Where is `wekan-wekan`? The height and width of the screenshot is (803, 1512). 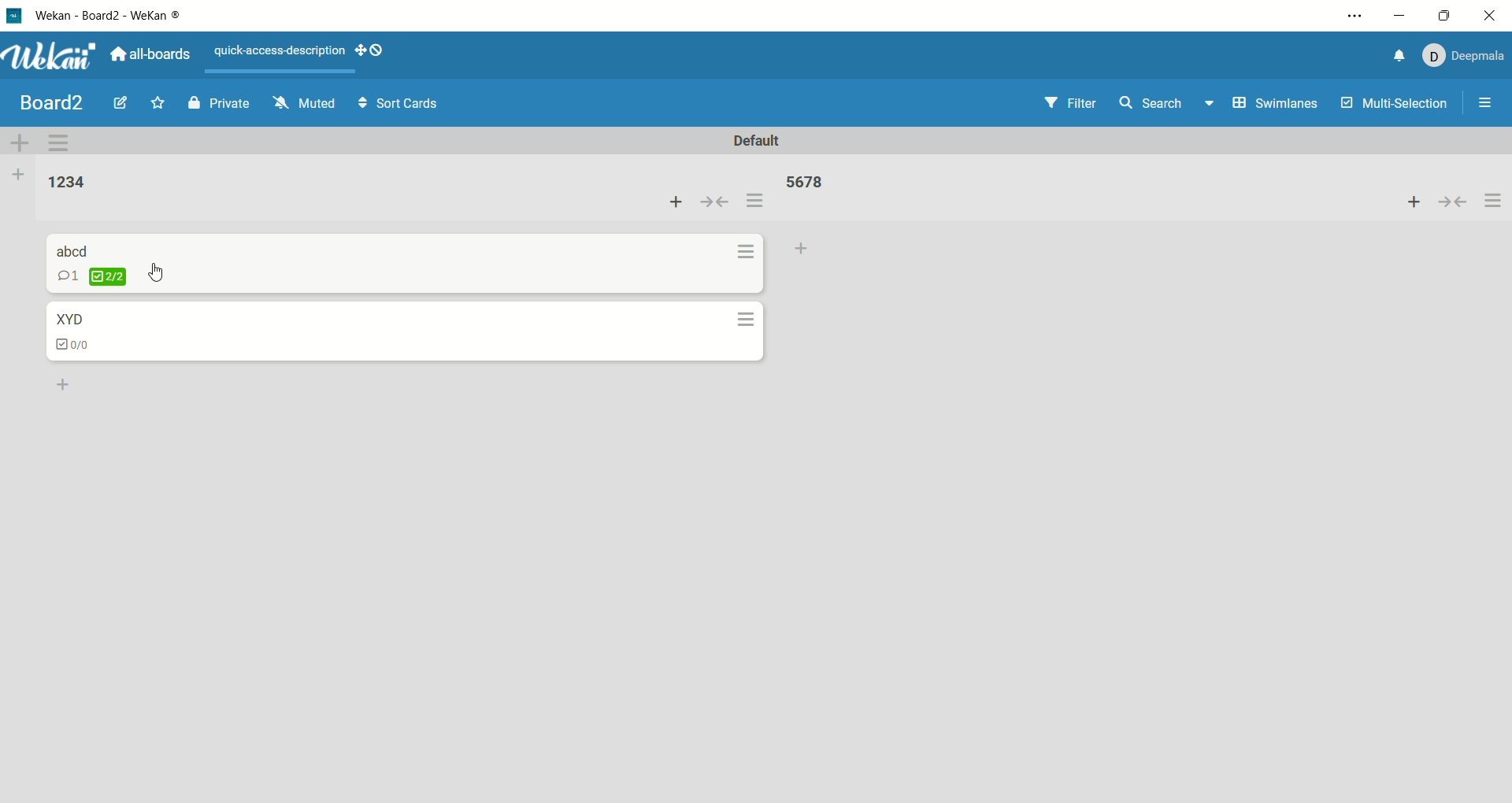
wekan-wekan is located at coordinates (127, 15).